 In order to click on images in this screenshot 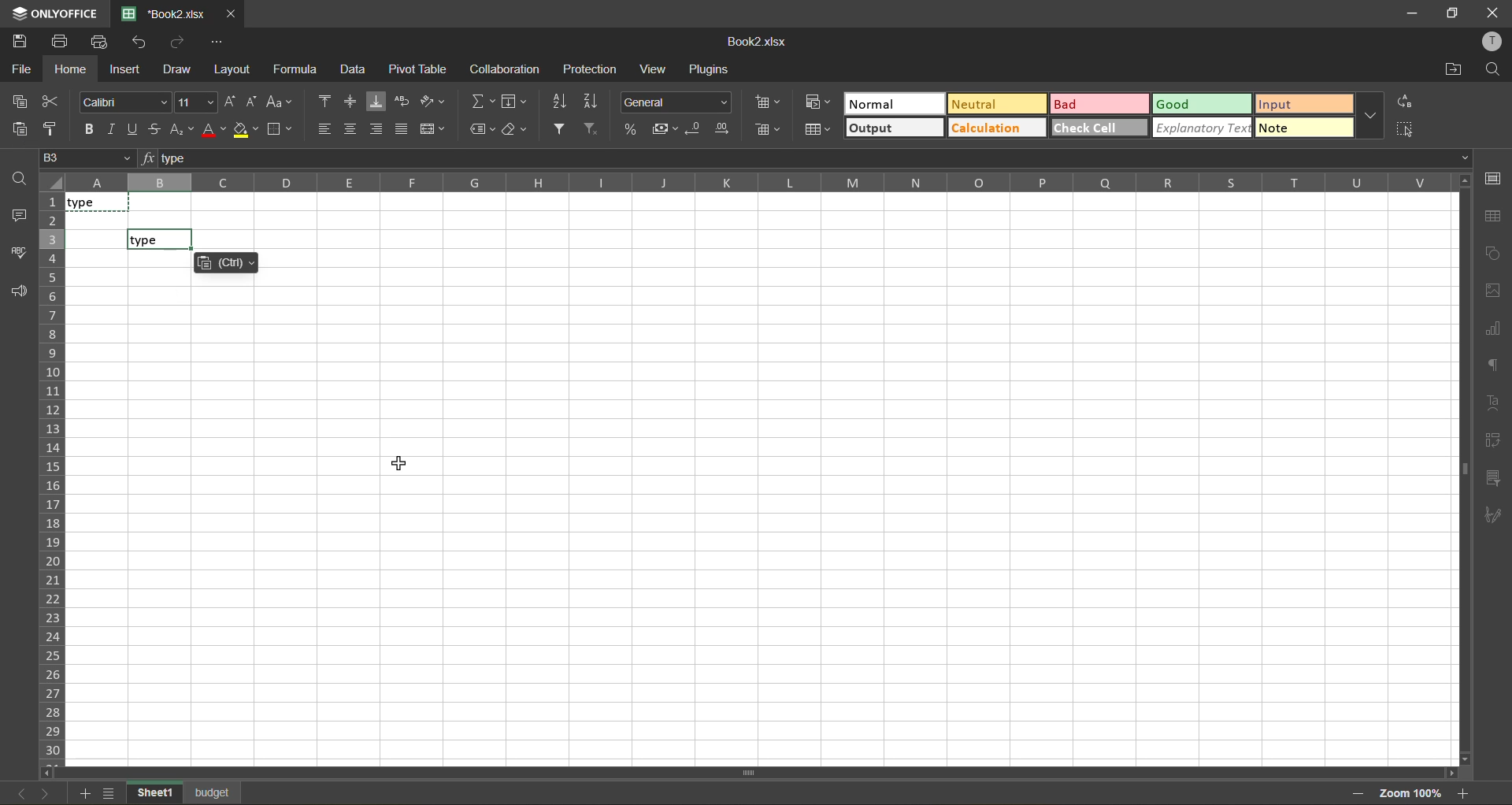, I will do `click(1492, 292)`.